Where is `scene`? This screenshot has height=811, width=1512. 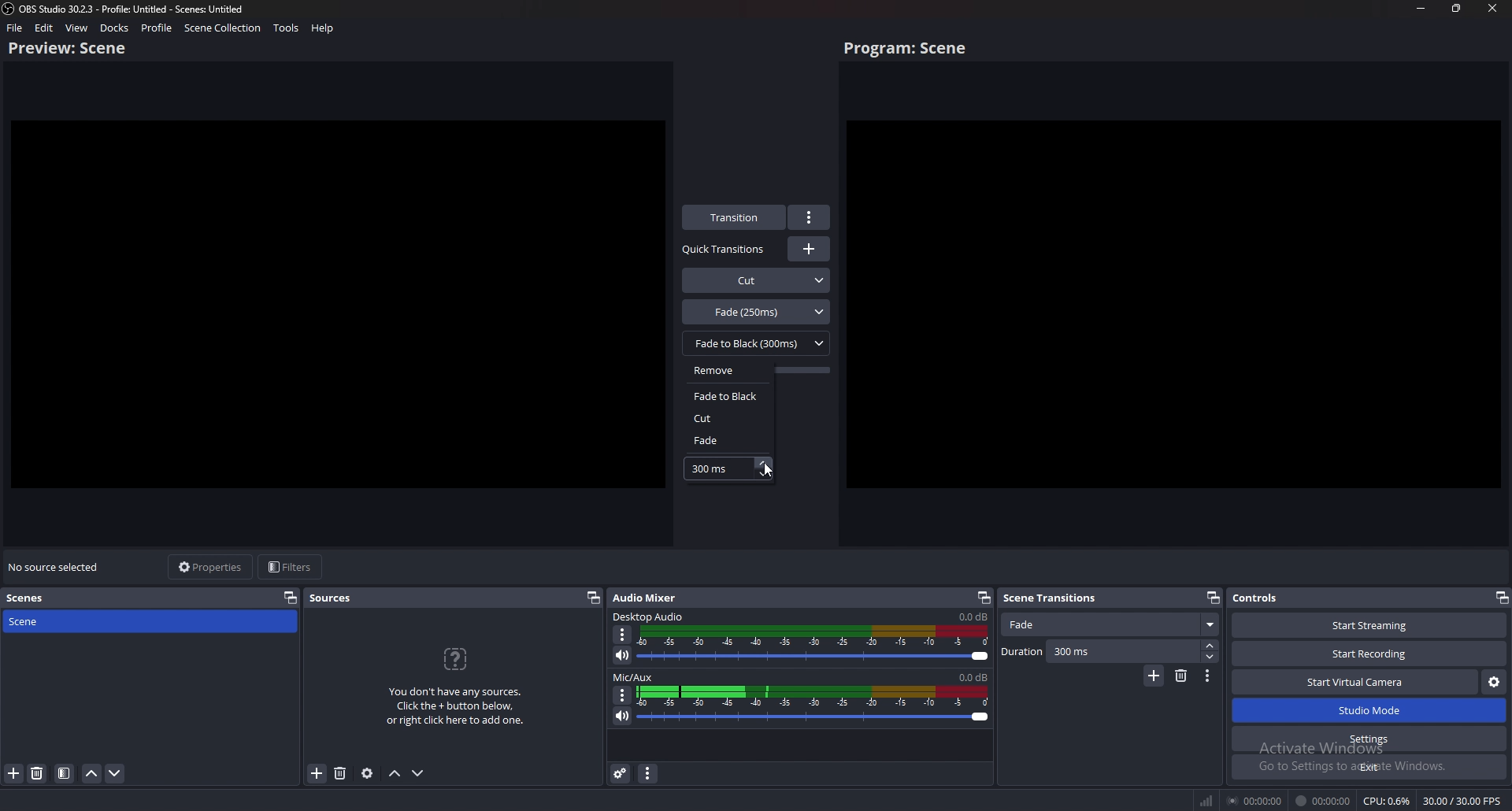
scene is located at coordinates (69, 621).